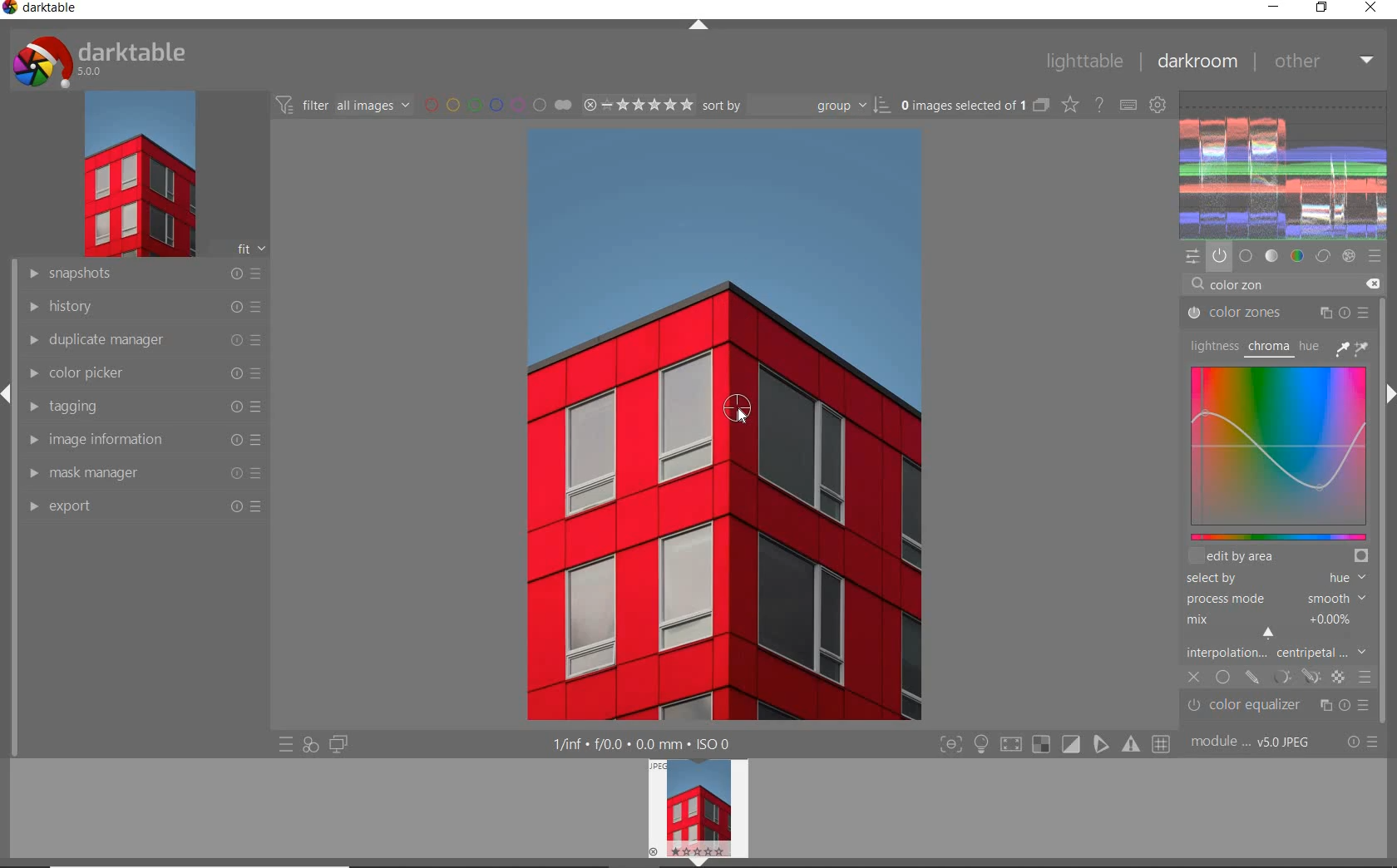 Image resolution: width=1397 pixels, height=868 pixels. What do you see at coordinates (142, 441) in the screenshot?
I see `image information` at bounding box center [142, 441].